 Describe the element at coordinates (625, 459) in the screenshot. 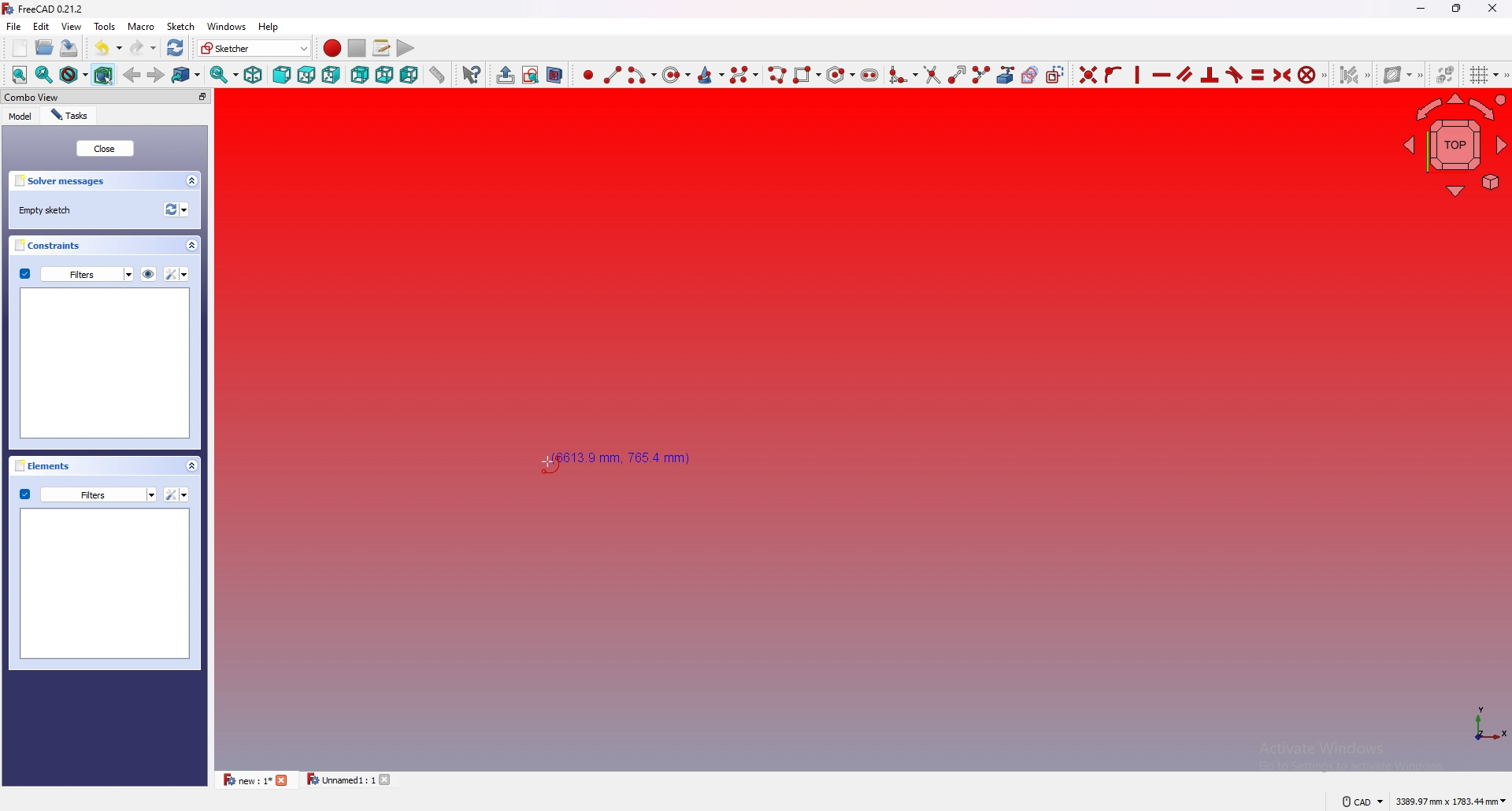

I see `(6613.9 mm, 765.4 mm)` at that location.